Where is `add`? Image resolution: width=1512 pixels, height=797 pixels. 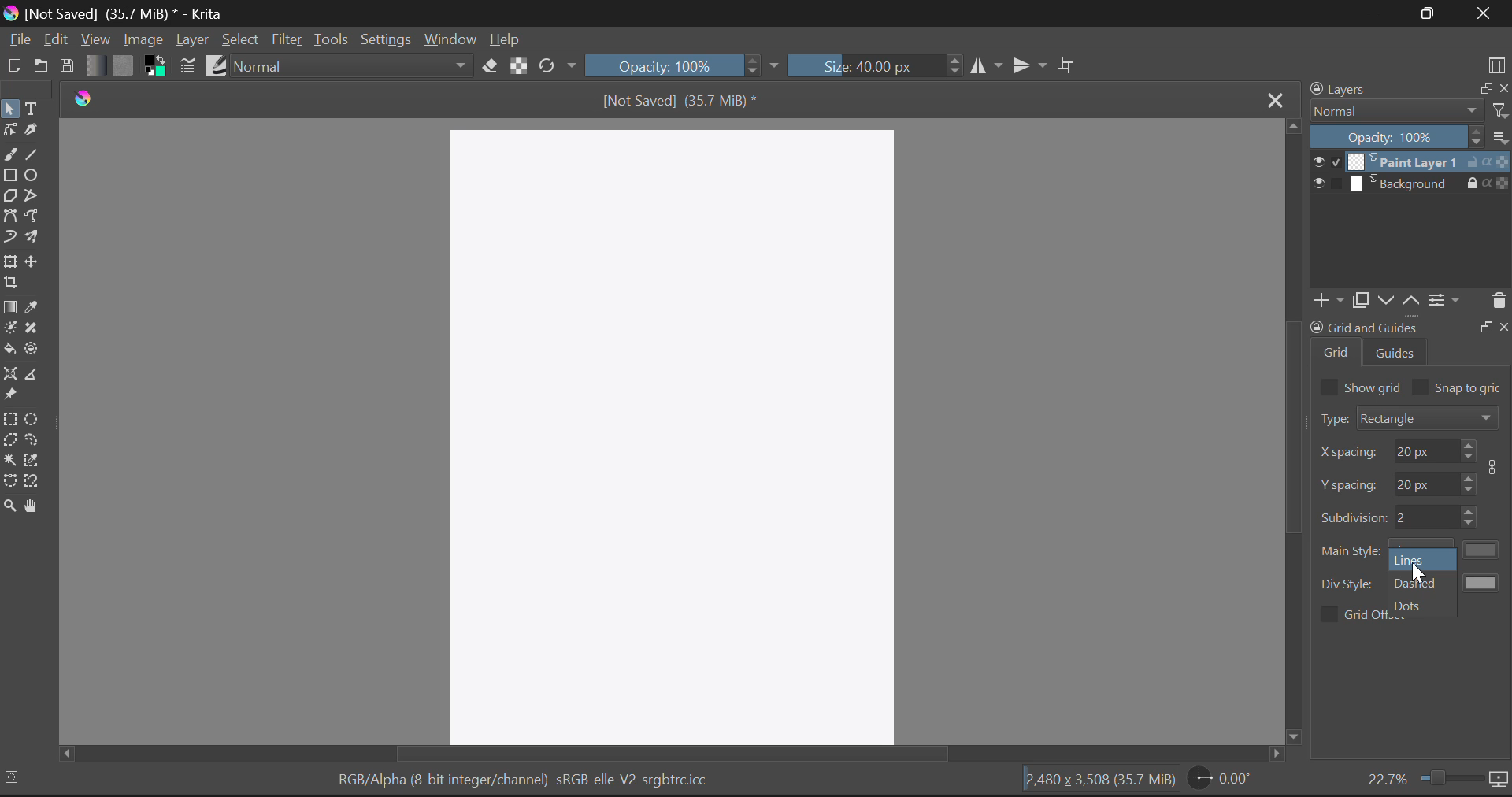
add is located at coordinates (1326, 301).